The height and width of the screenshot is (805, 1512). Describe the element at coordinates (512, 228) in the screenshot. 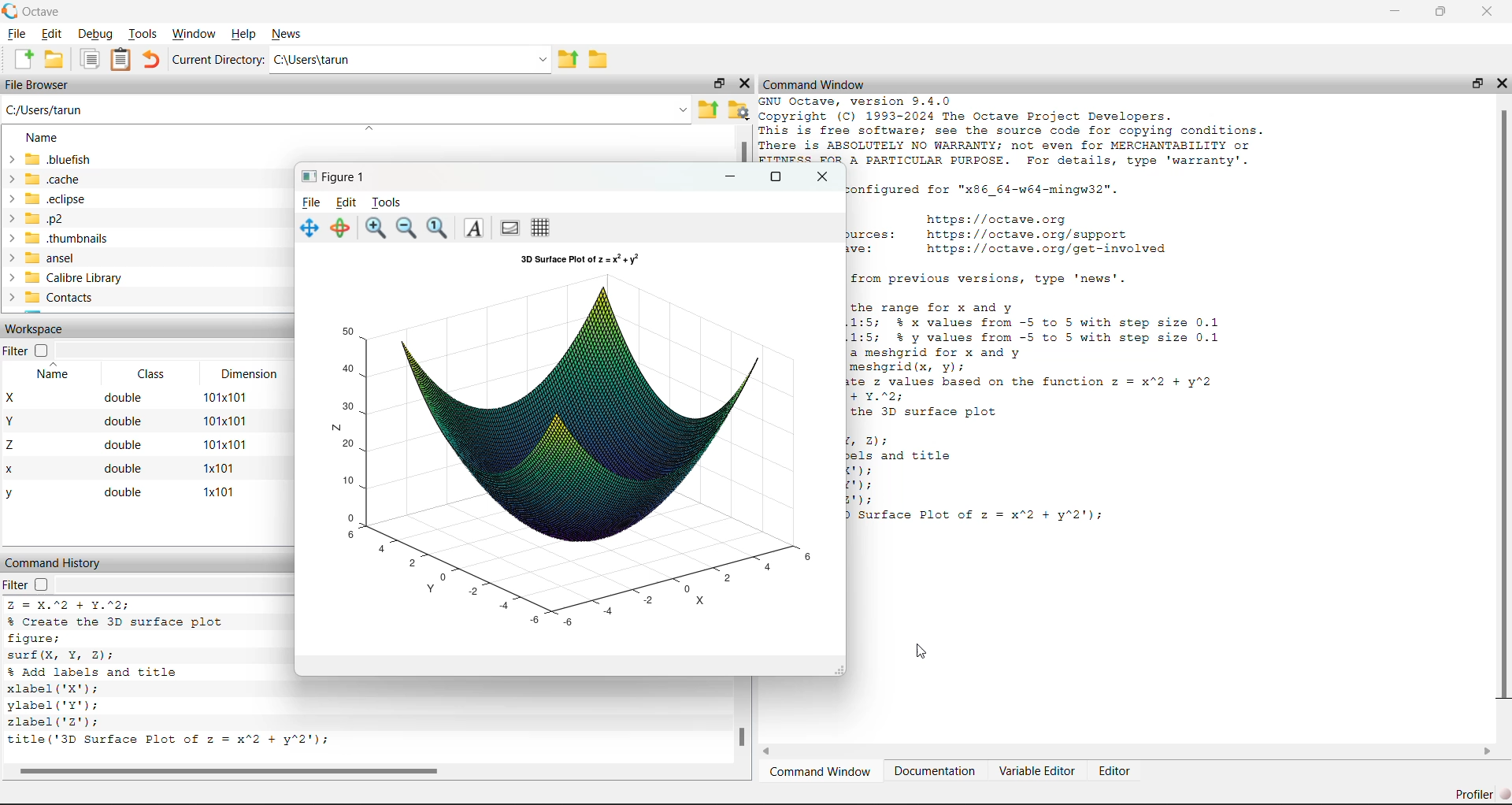

I see `Plot` at that location.